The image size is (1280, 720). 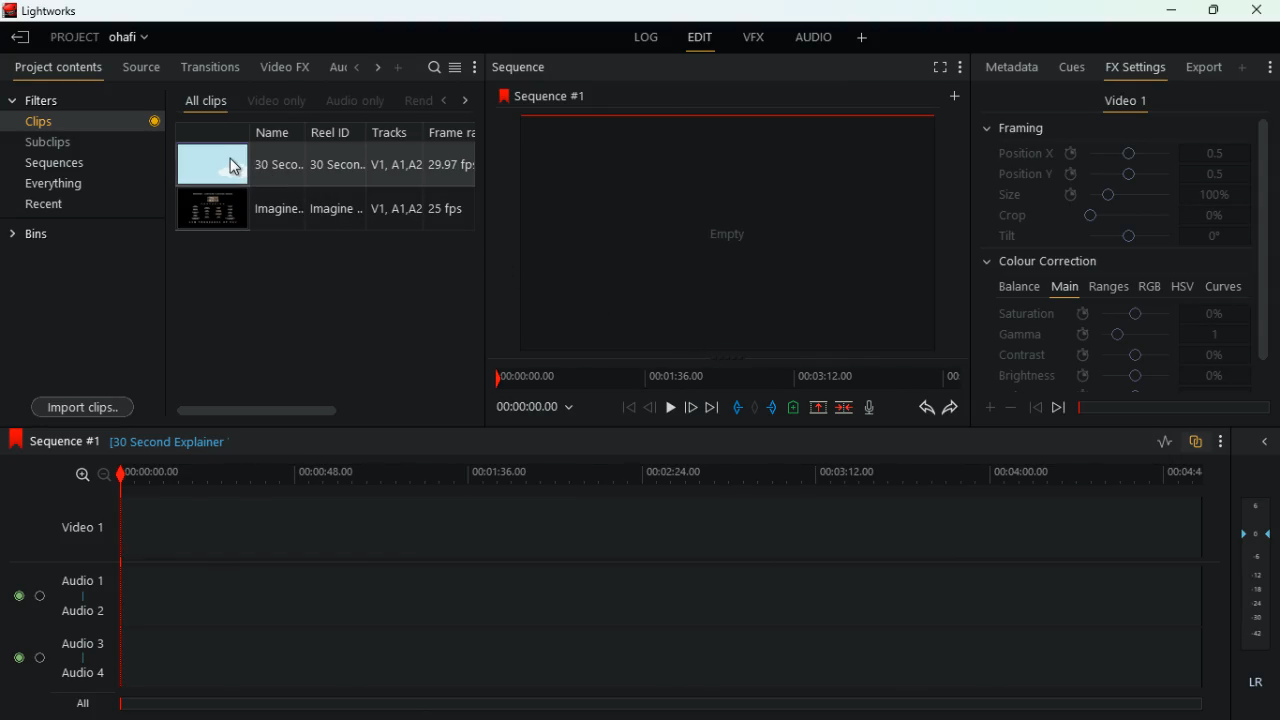 What do you see at coordinates (1059, 407) in the screenshot?
I see `front` at bounding box center [1059, 407].